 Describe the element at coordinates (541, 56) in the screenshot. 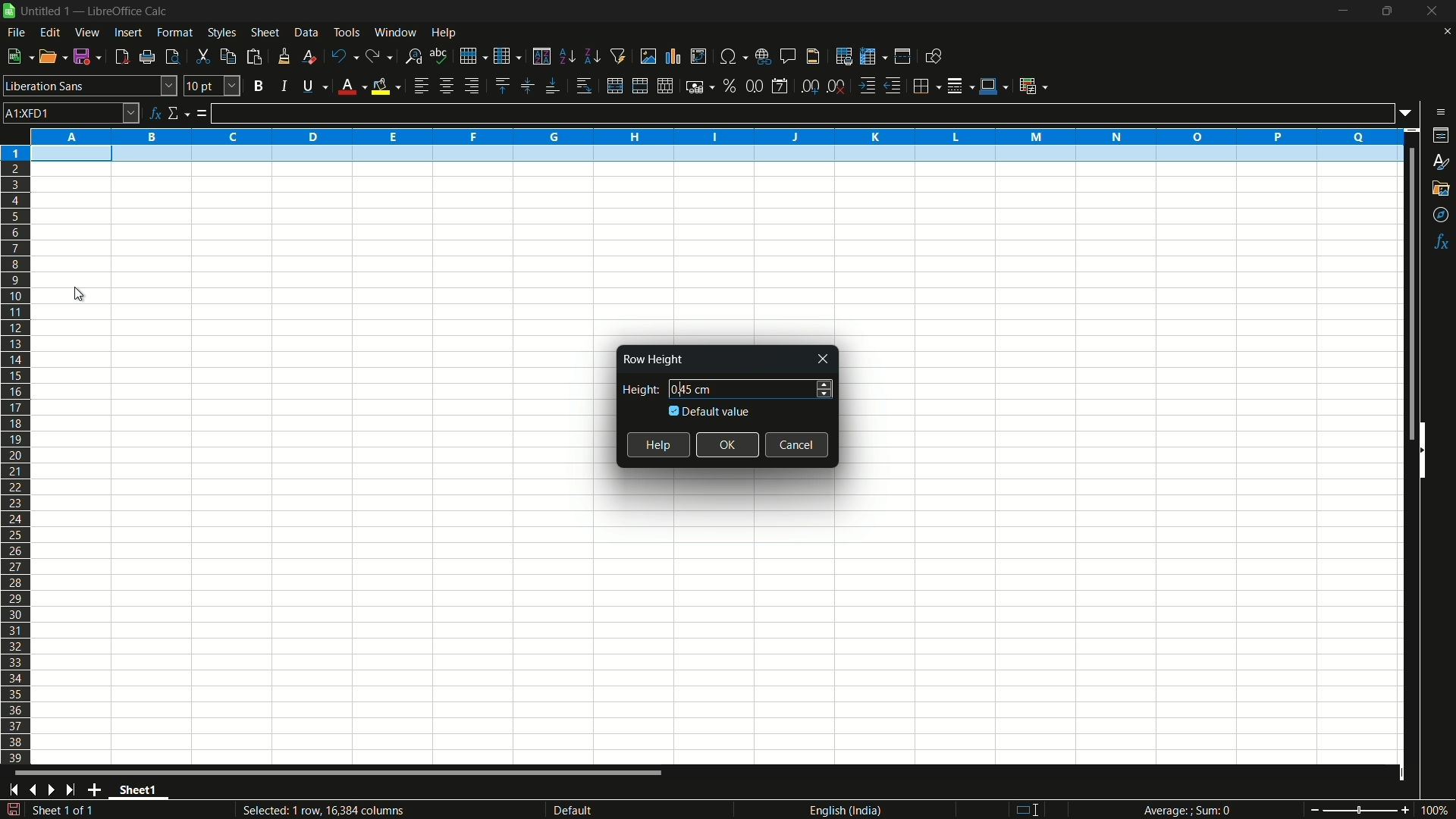

I see `sort` at that location.